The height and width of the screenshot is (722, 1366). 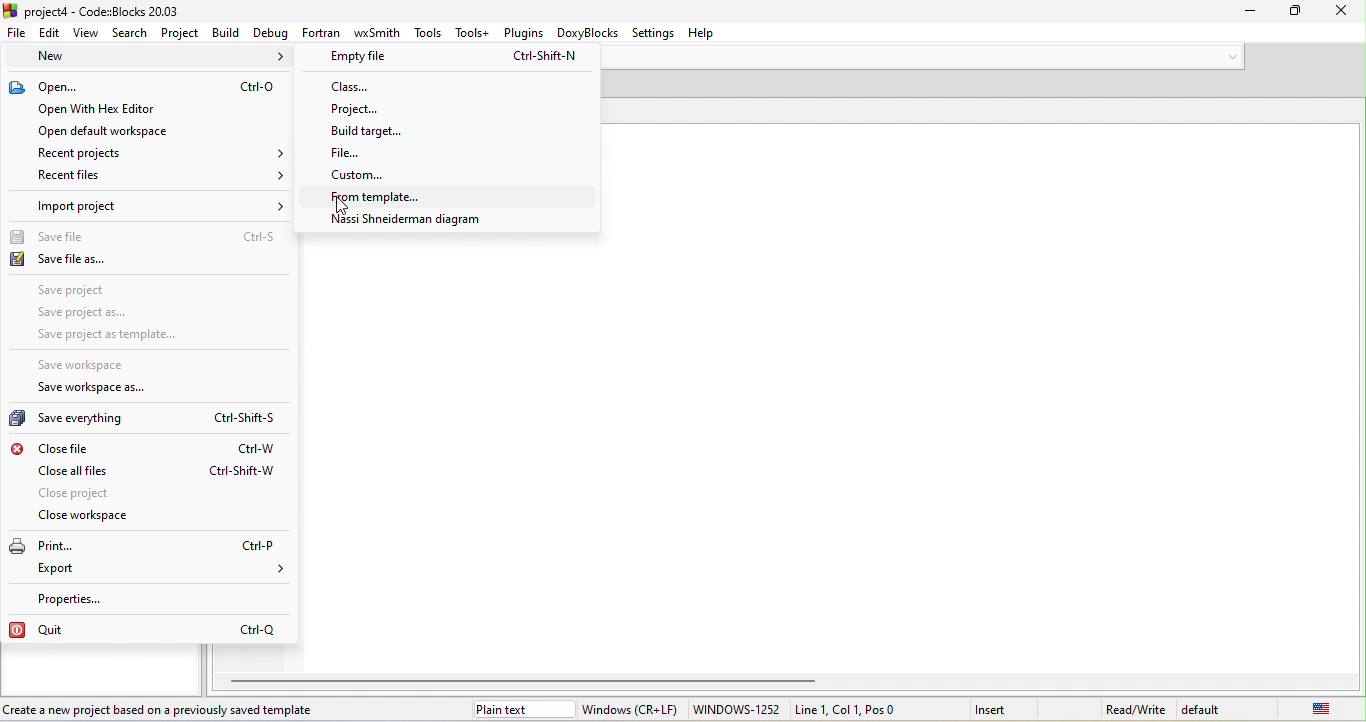 I want to click on help, so click(x=714, y=35).